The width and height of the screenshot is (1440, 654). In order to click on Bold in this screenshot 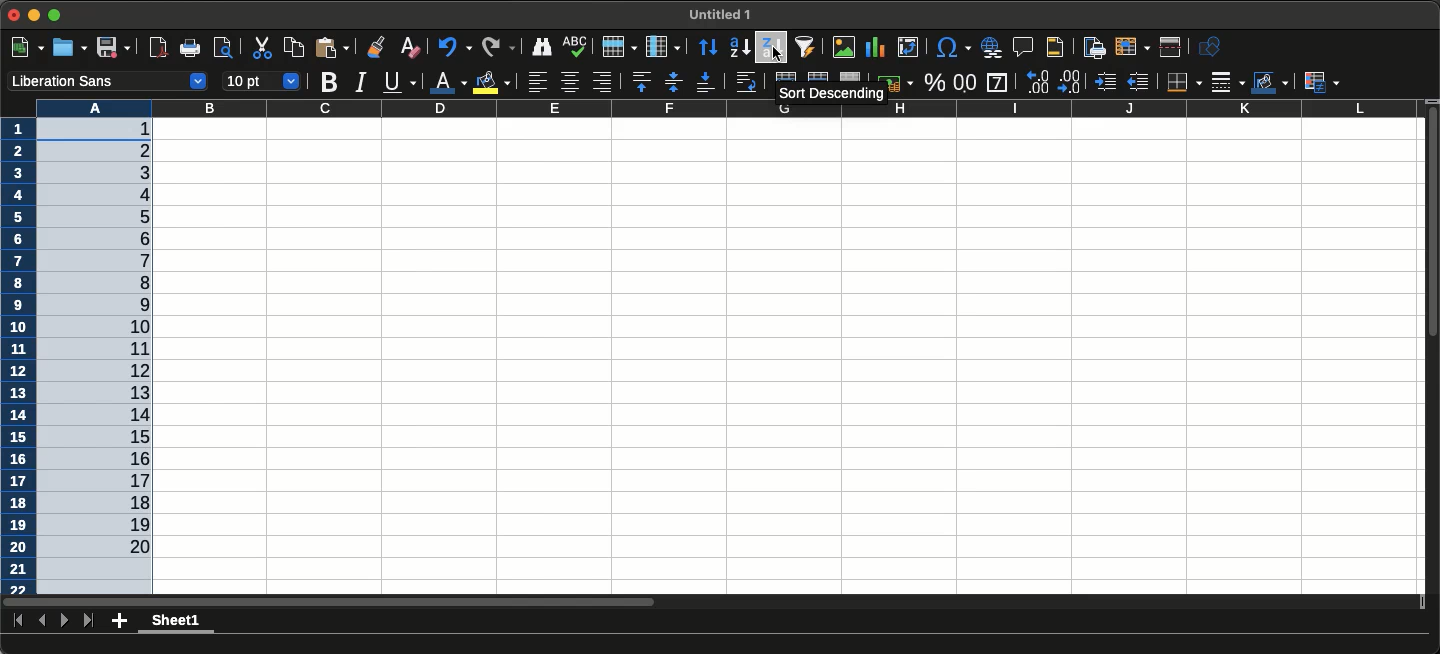, I will do `click(328, 83)`.